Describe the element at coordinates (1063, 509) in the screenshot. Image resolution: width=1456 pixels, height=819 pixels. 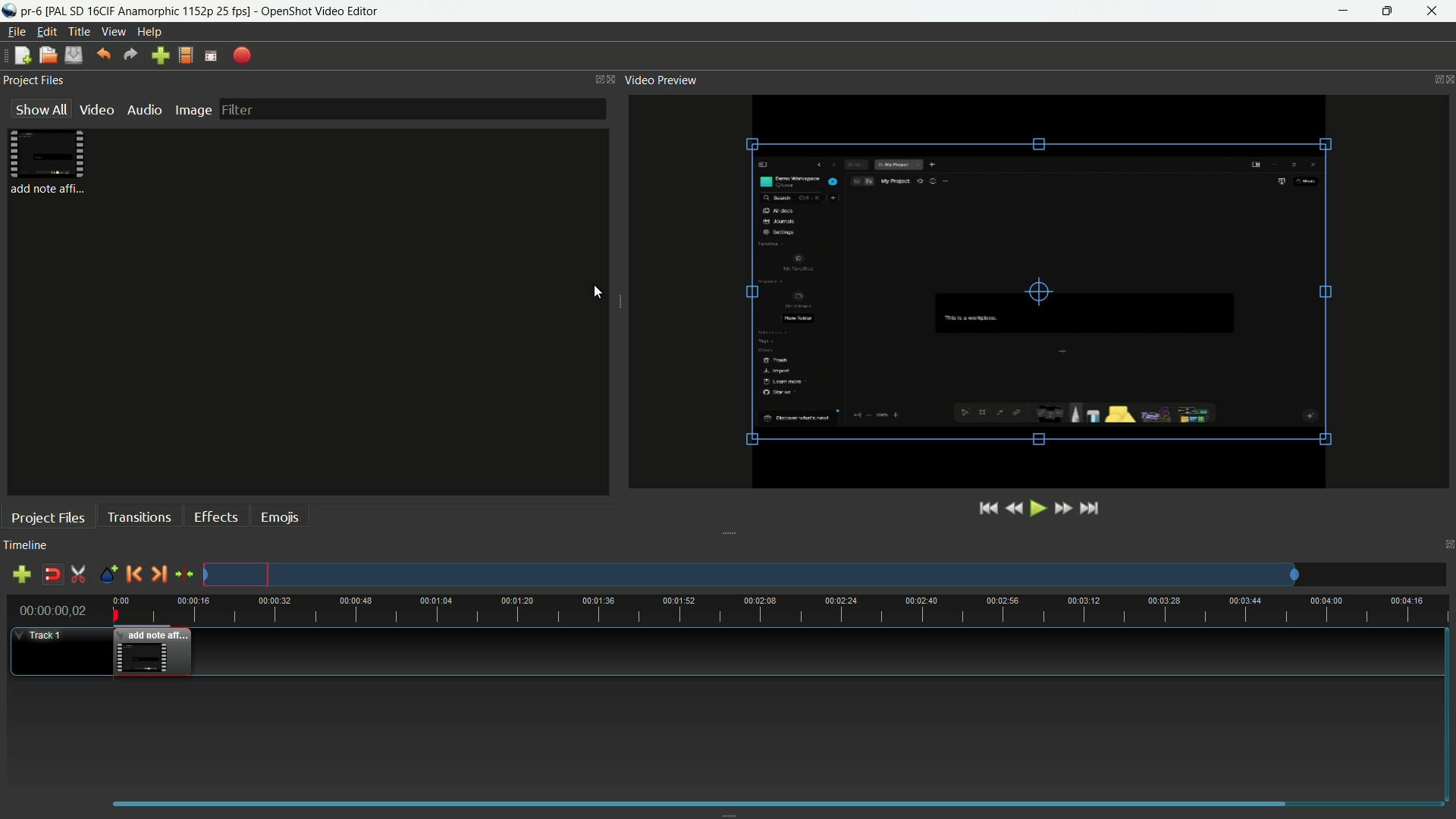
I see `fast forward` at that location.